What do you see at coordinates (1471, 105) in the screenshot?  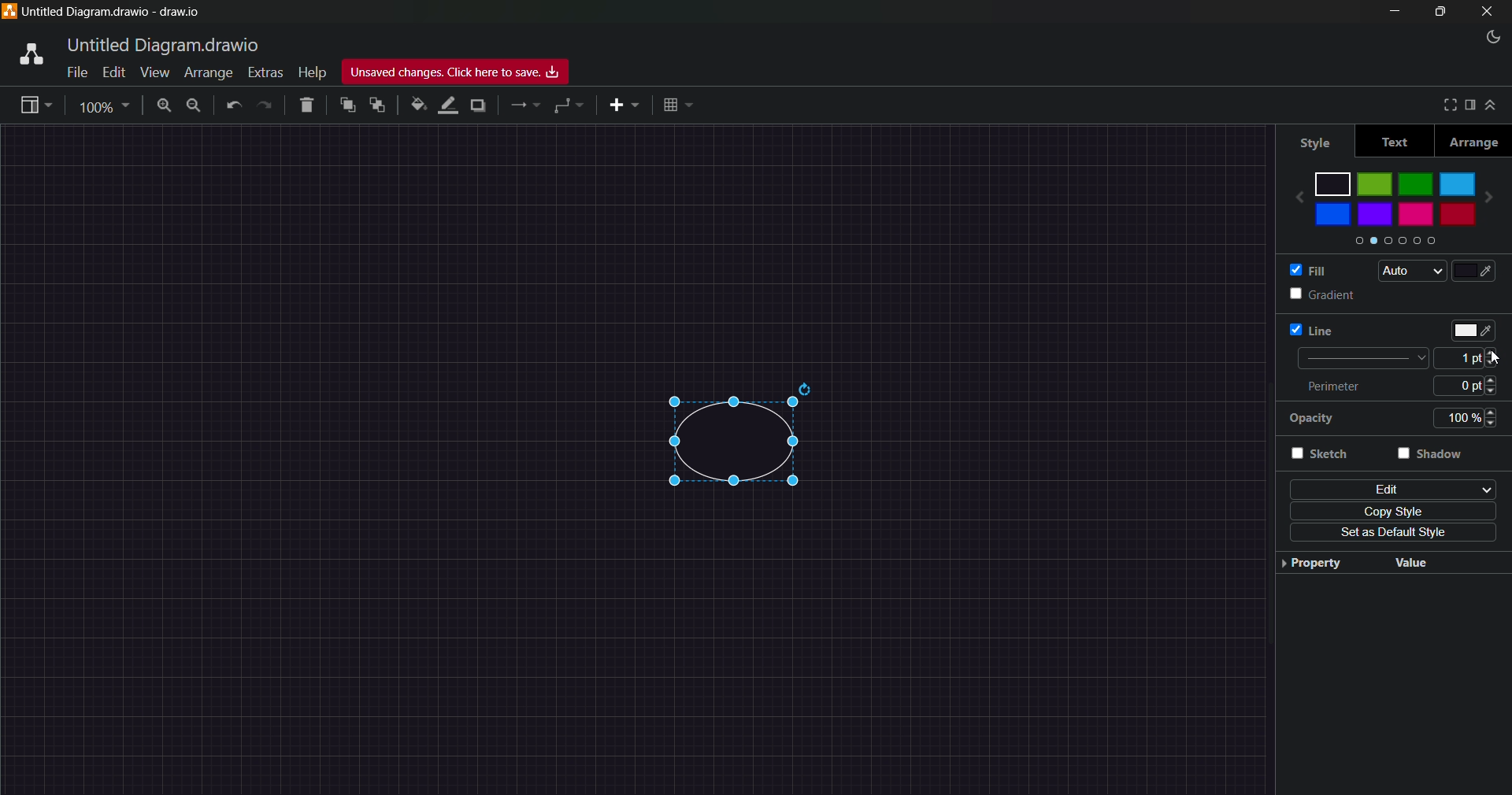 I see `format` at bounding box center [1471, 105].